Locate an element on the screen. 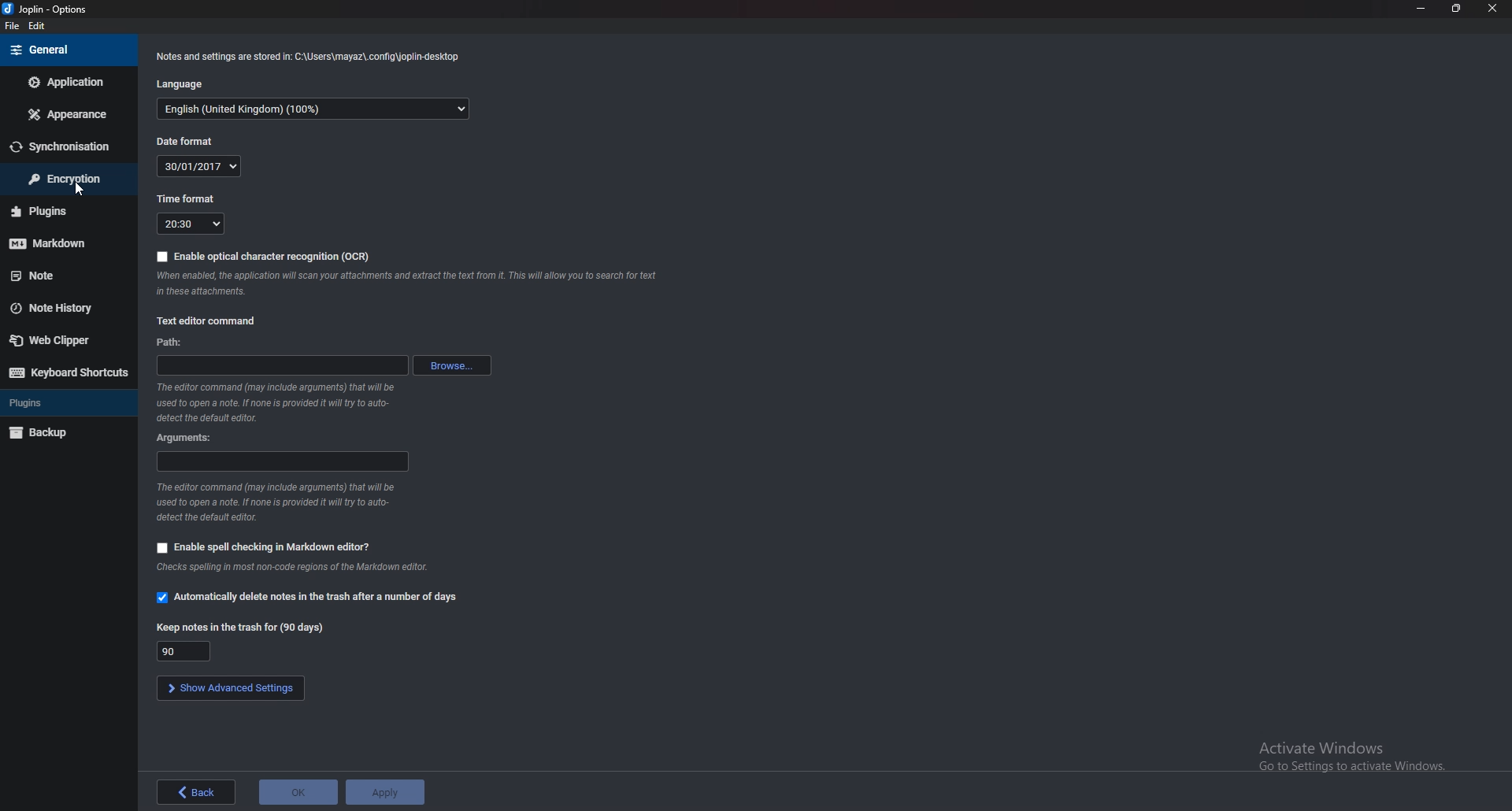 Image resolution: width=1512 pixels, height=811 pixels. time format is located at coordinates (191, 224).